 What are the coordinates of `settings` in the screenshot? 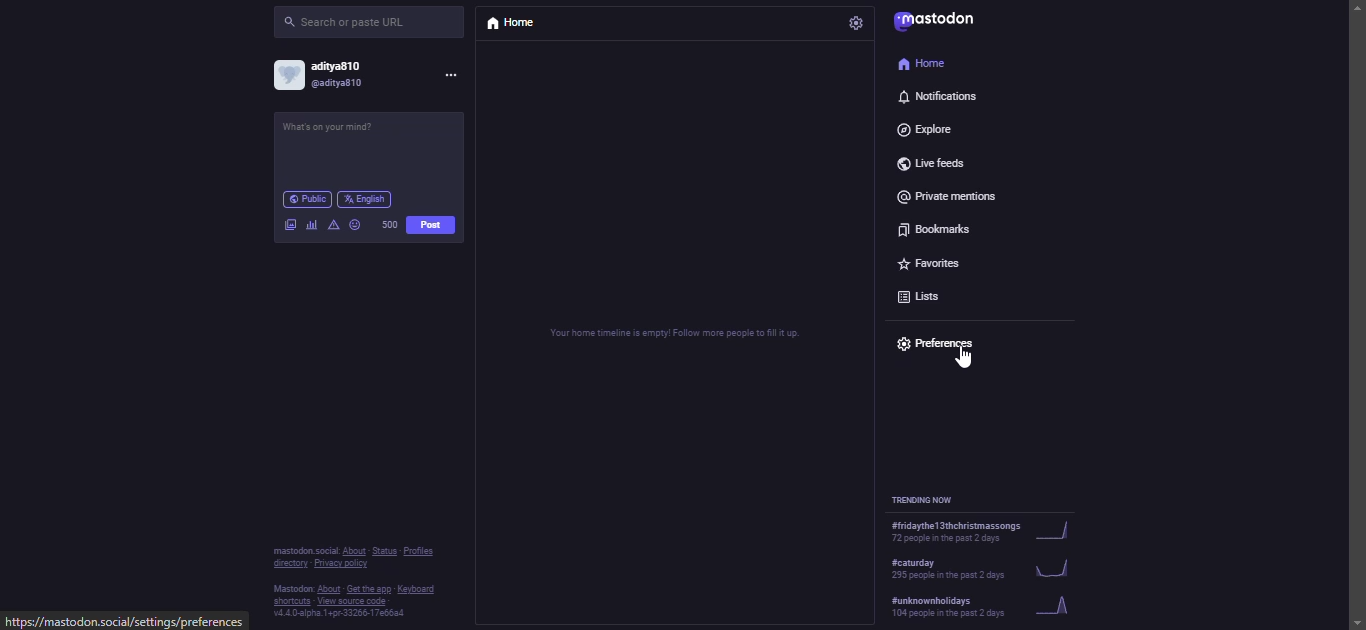 It's located at (860, 22).